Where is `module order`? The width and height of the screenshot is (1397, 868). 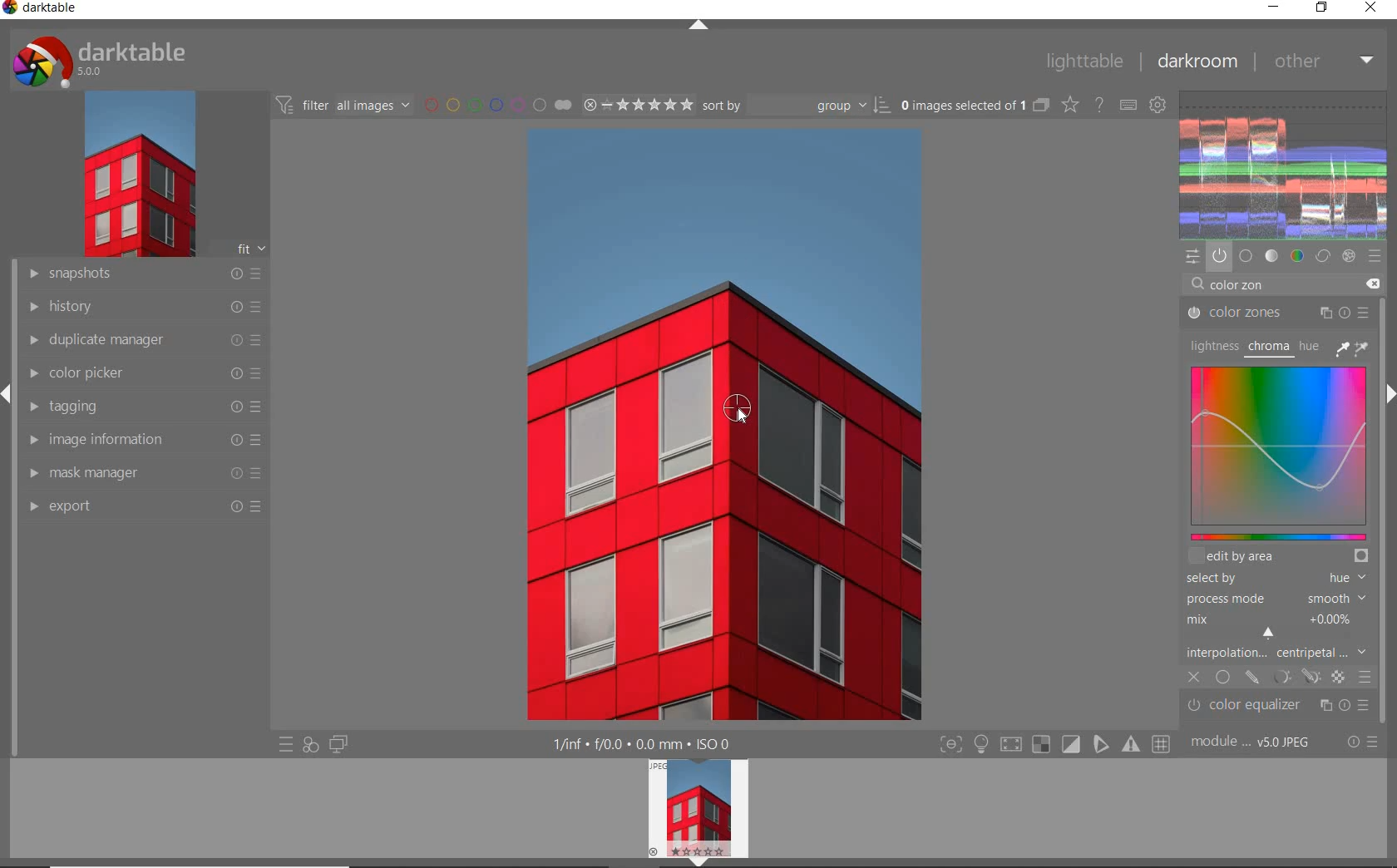 module order is located at coordinates (1255, 743).